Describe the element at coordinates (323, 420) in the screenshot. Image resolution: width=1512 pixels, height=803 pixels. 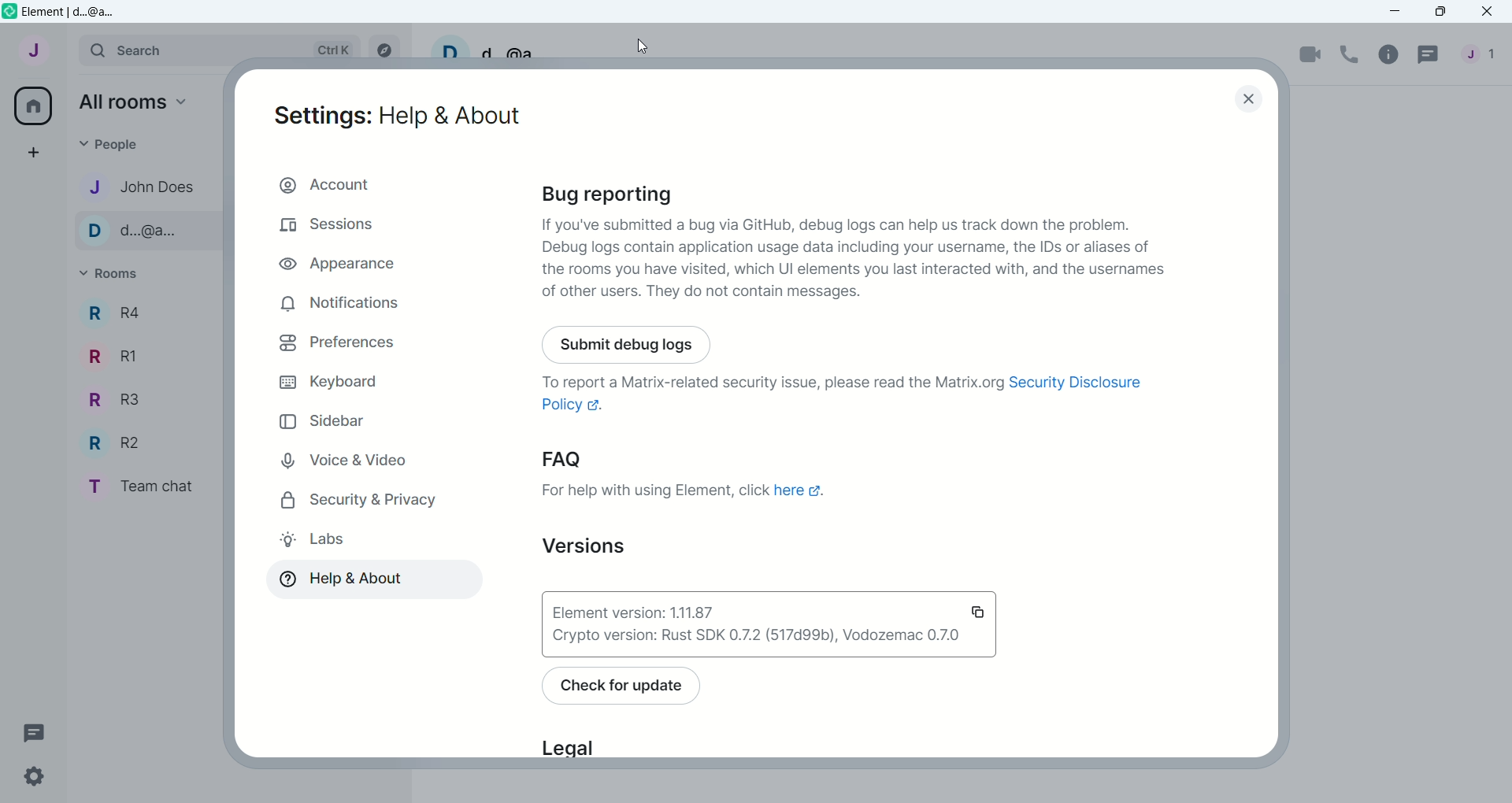
I see `Sidebar` at that location.